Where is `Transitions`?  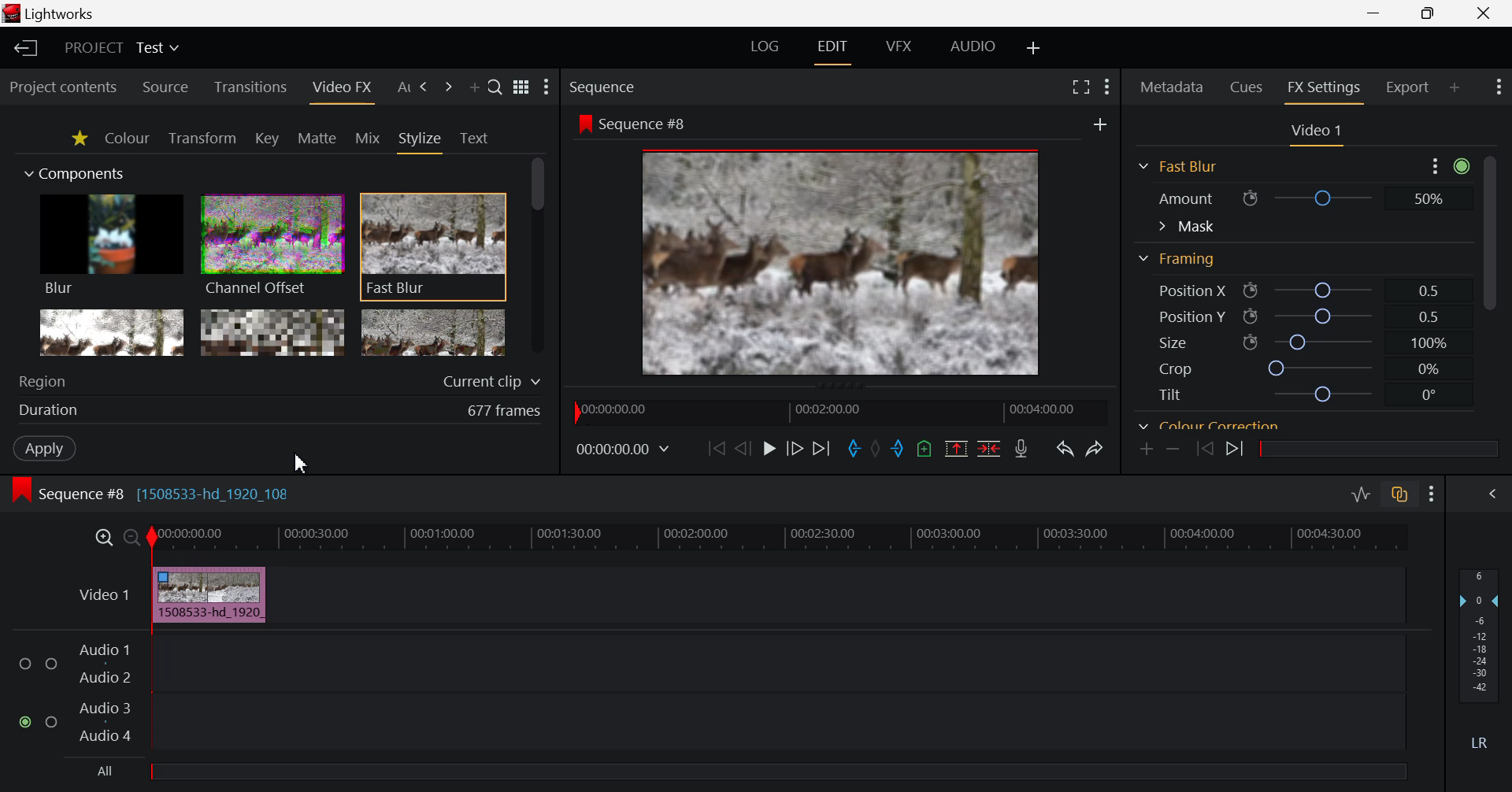
Transitions is located at coordinates (261, 88).